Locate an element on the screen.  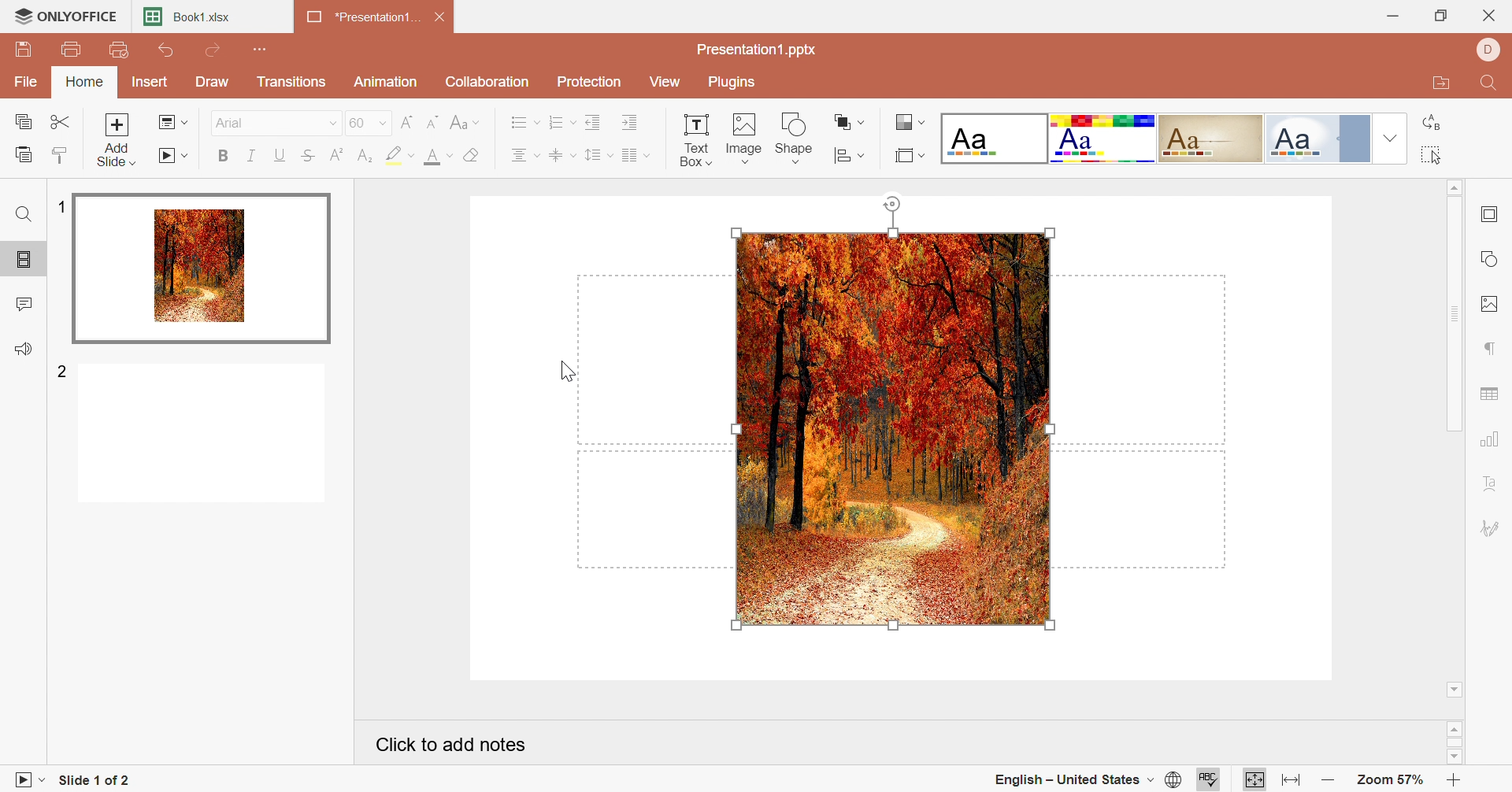
Click to add notes is located at coordinates (452, 742).